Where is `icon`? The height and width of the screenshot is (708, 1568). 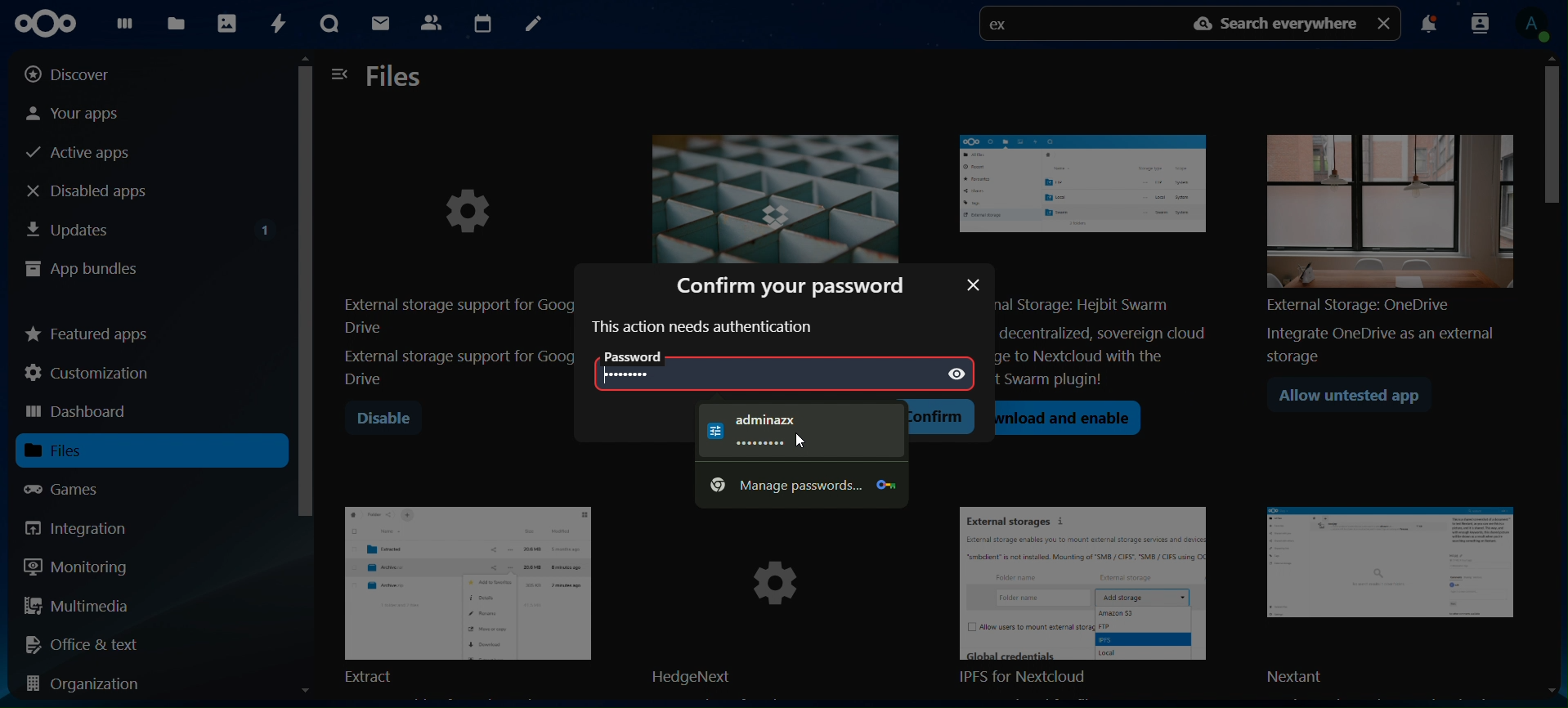
icon is located at coordinates (52, 24).